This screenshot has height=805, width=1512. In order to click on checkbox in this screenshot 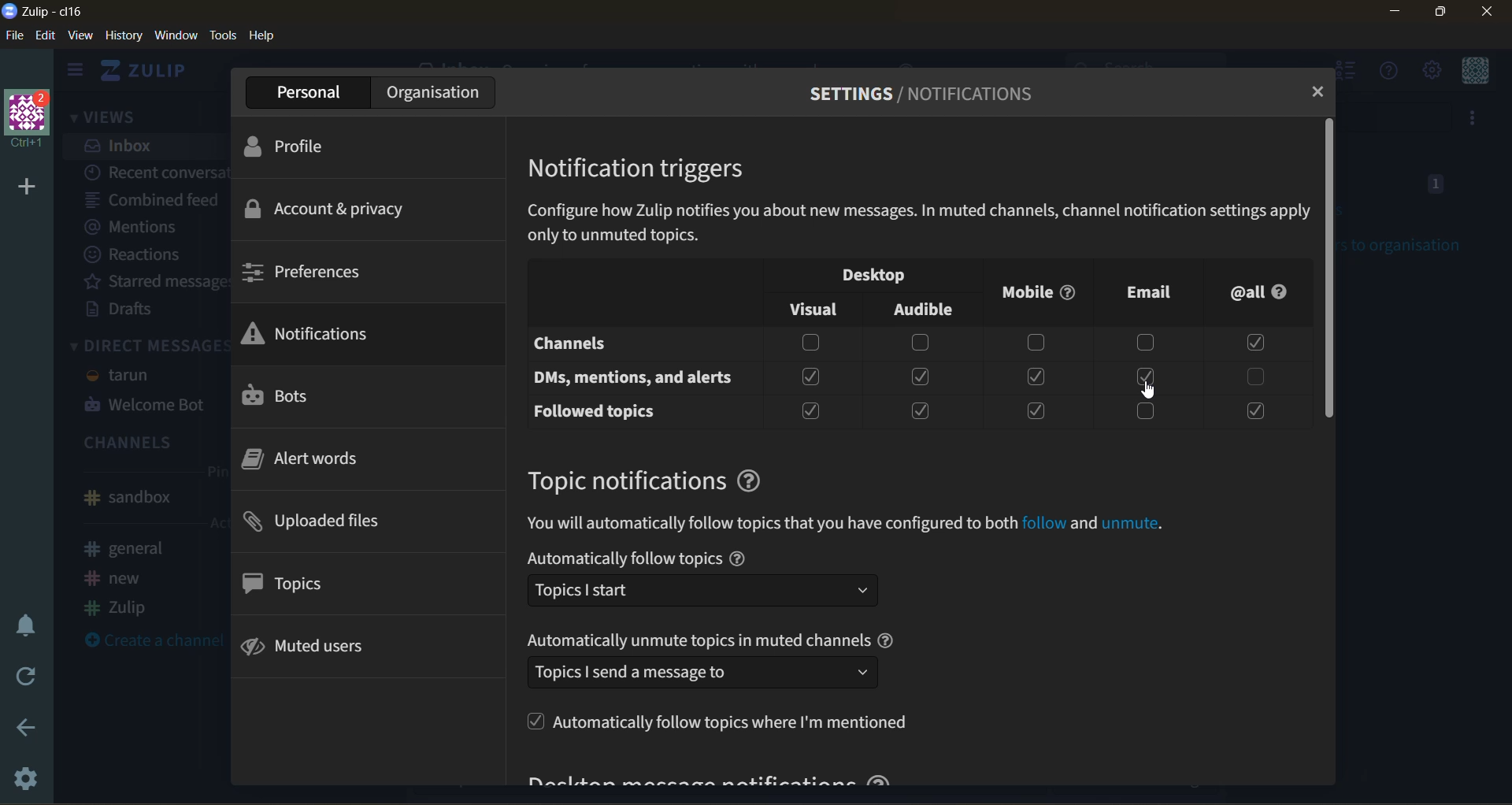, I will do `click(1253, 344)`.